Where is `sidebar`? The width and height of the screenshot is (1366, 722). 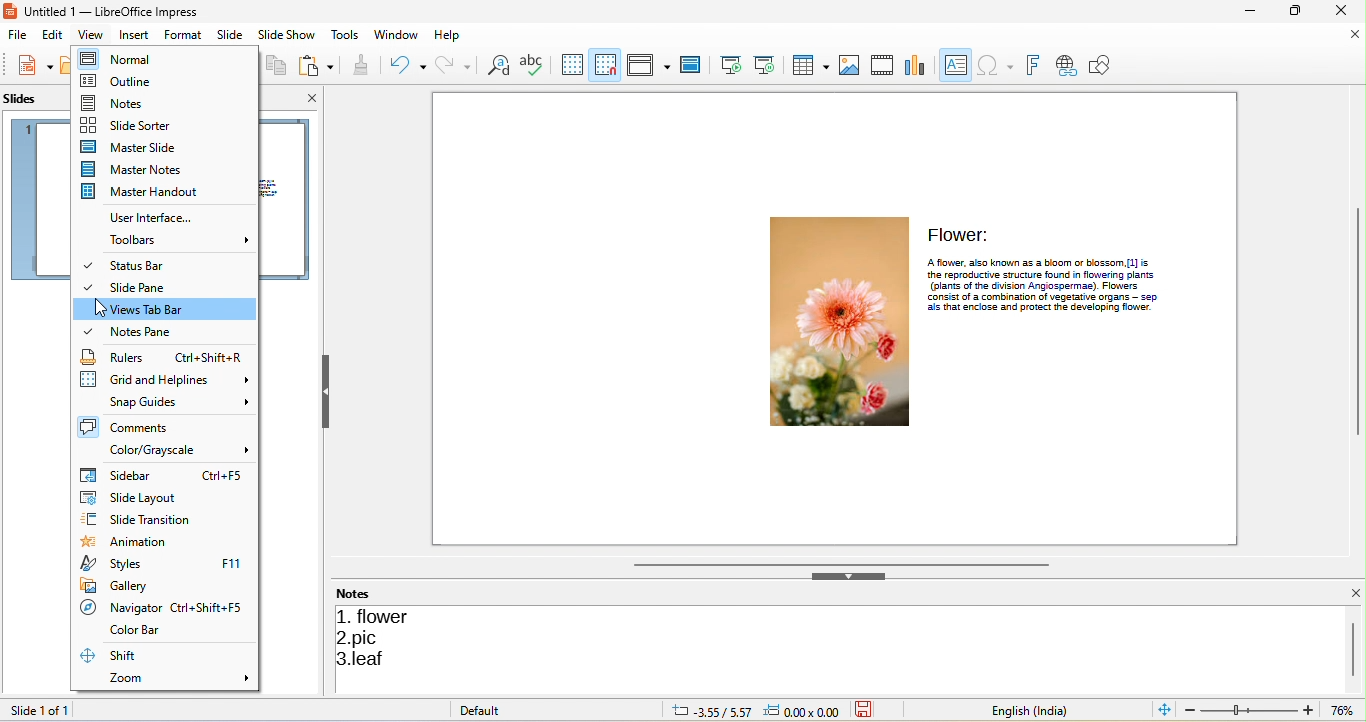 sidebar is located at coordinates (163, 474).